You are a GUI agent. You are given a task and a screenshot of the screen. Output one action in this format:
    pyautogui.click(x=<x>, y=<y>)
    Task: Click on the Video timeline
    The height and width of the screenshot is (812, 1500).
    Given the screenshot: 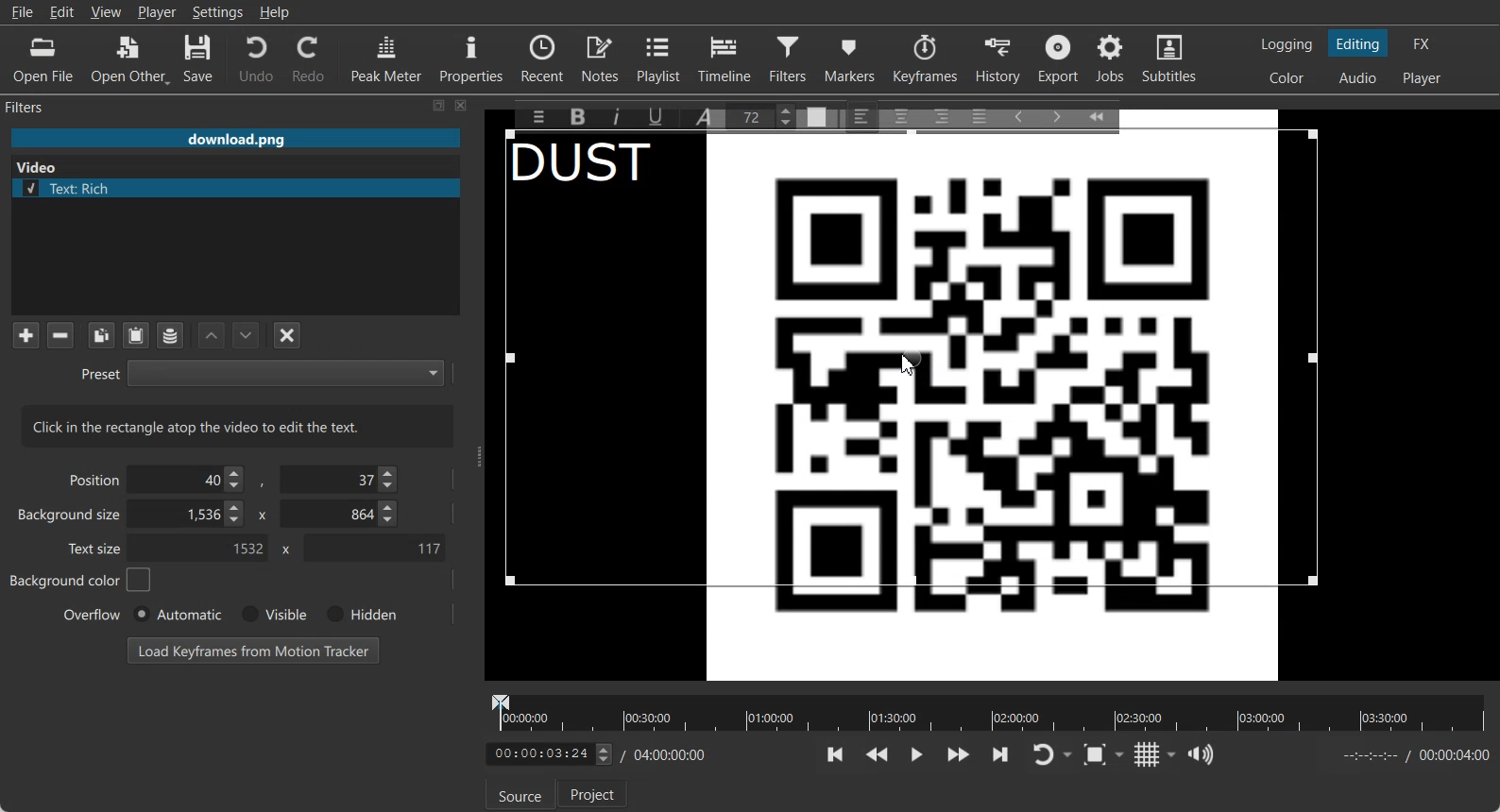 What is the action you would take?
    pyautogui.click(x=988, y=711)
    